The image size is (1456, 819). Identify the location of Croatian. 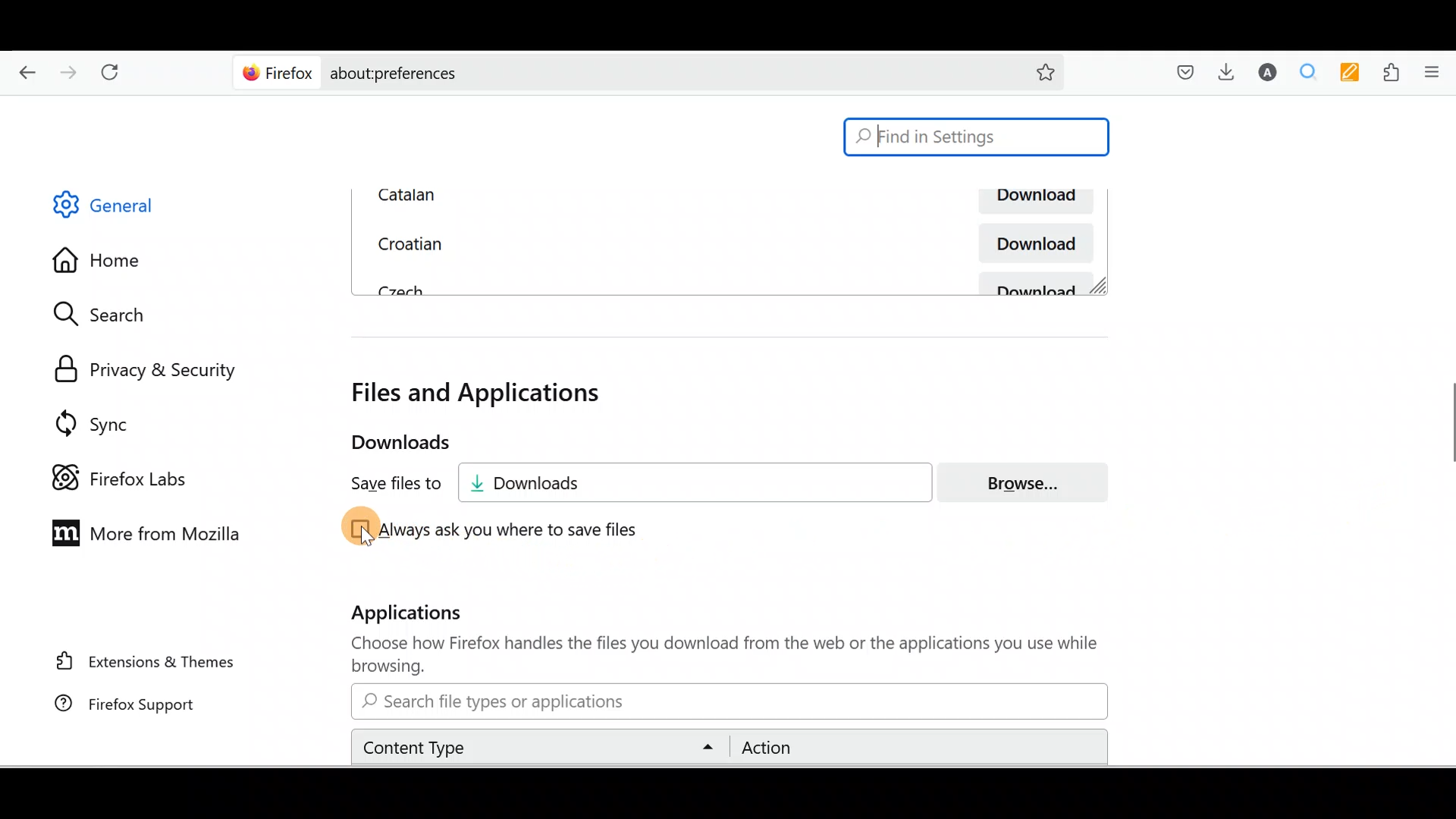
(406, 241).